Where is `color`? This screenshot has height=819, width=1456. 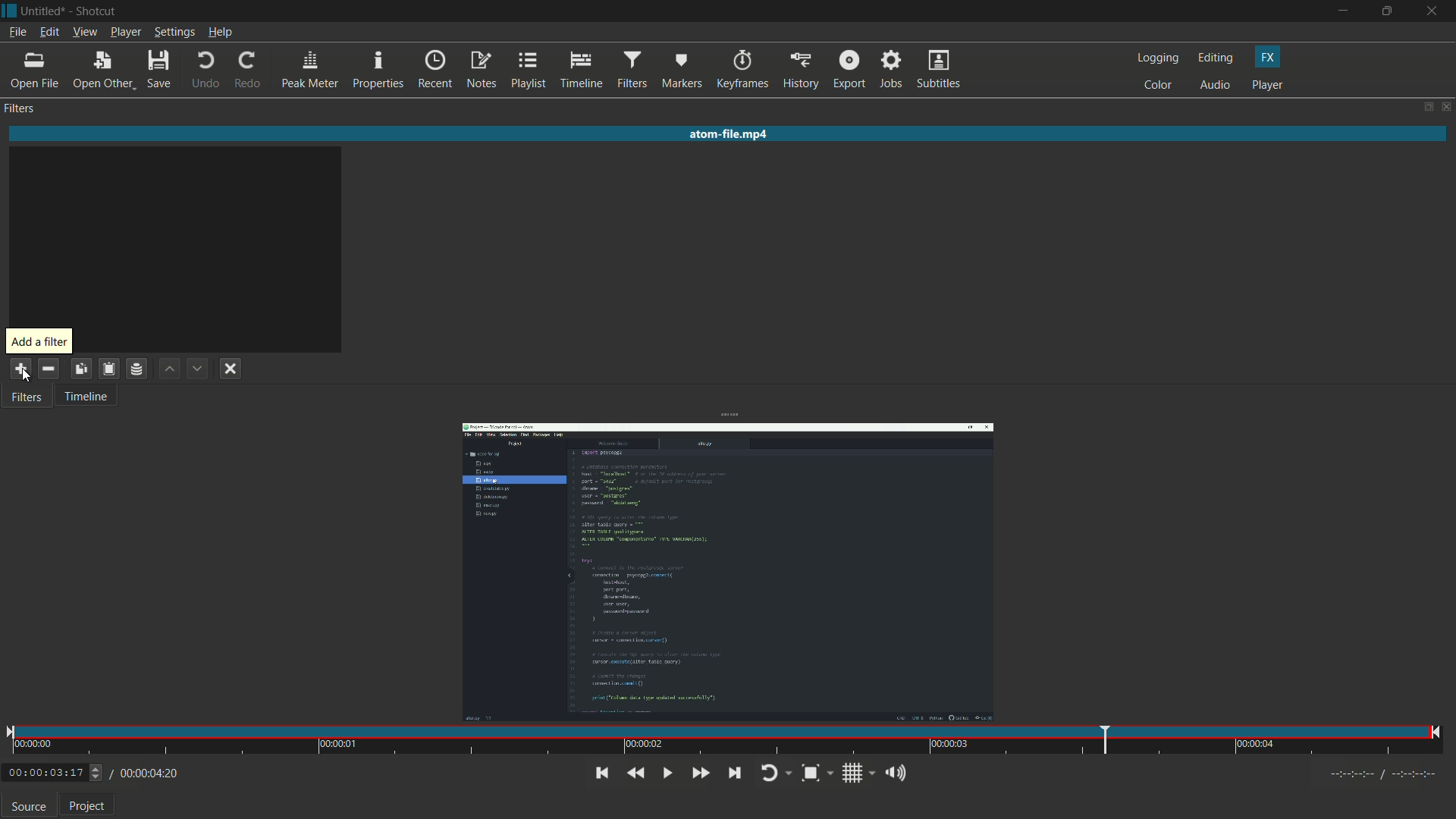 color is located at coordinates (1158, 86).